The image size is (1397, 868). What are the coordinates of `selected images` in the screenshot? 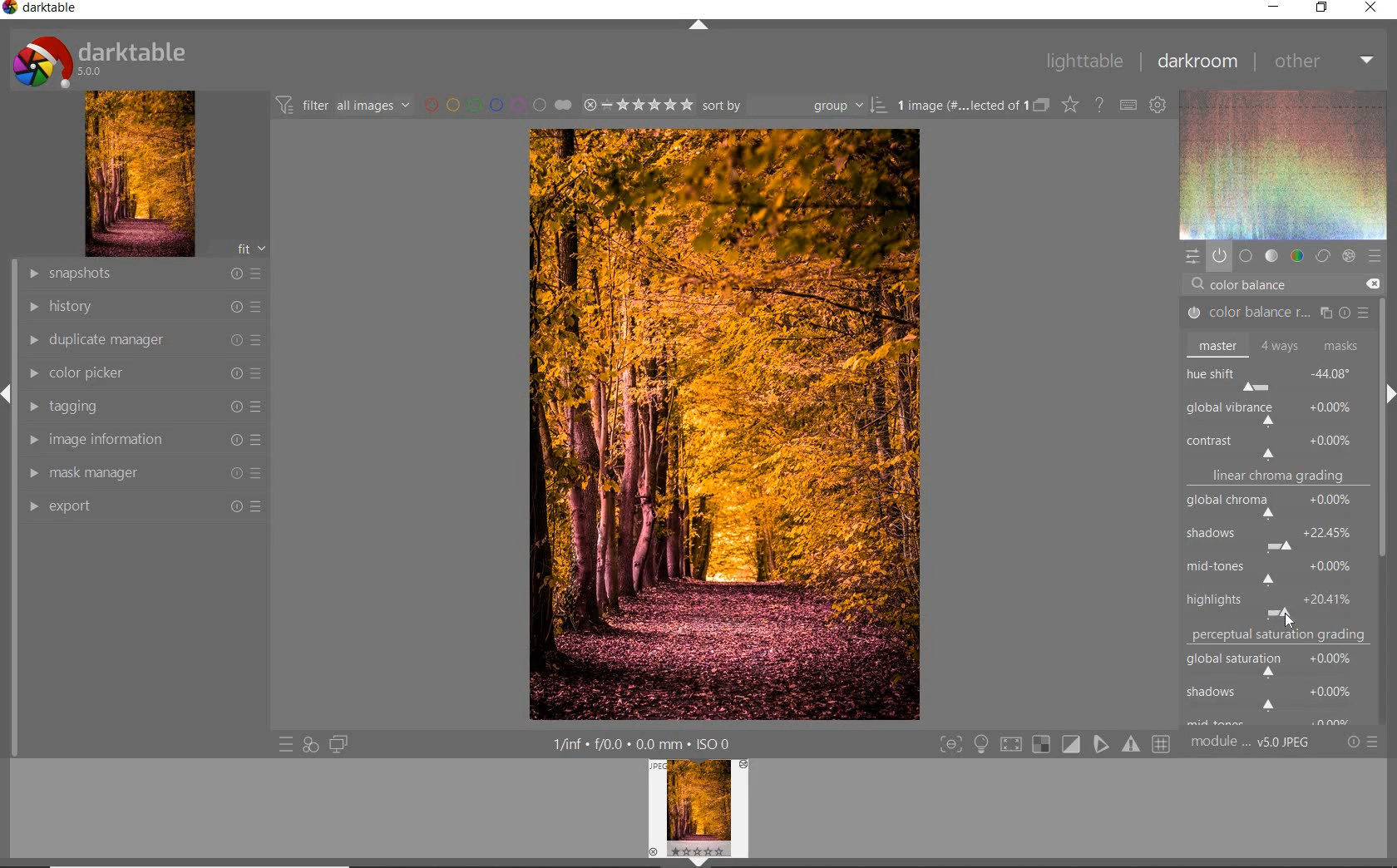 It's located at (959, 106).